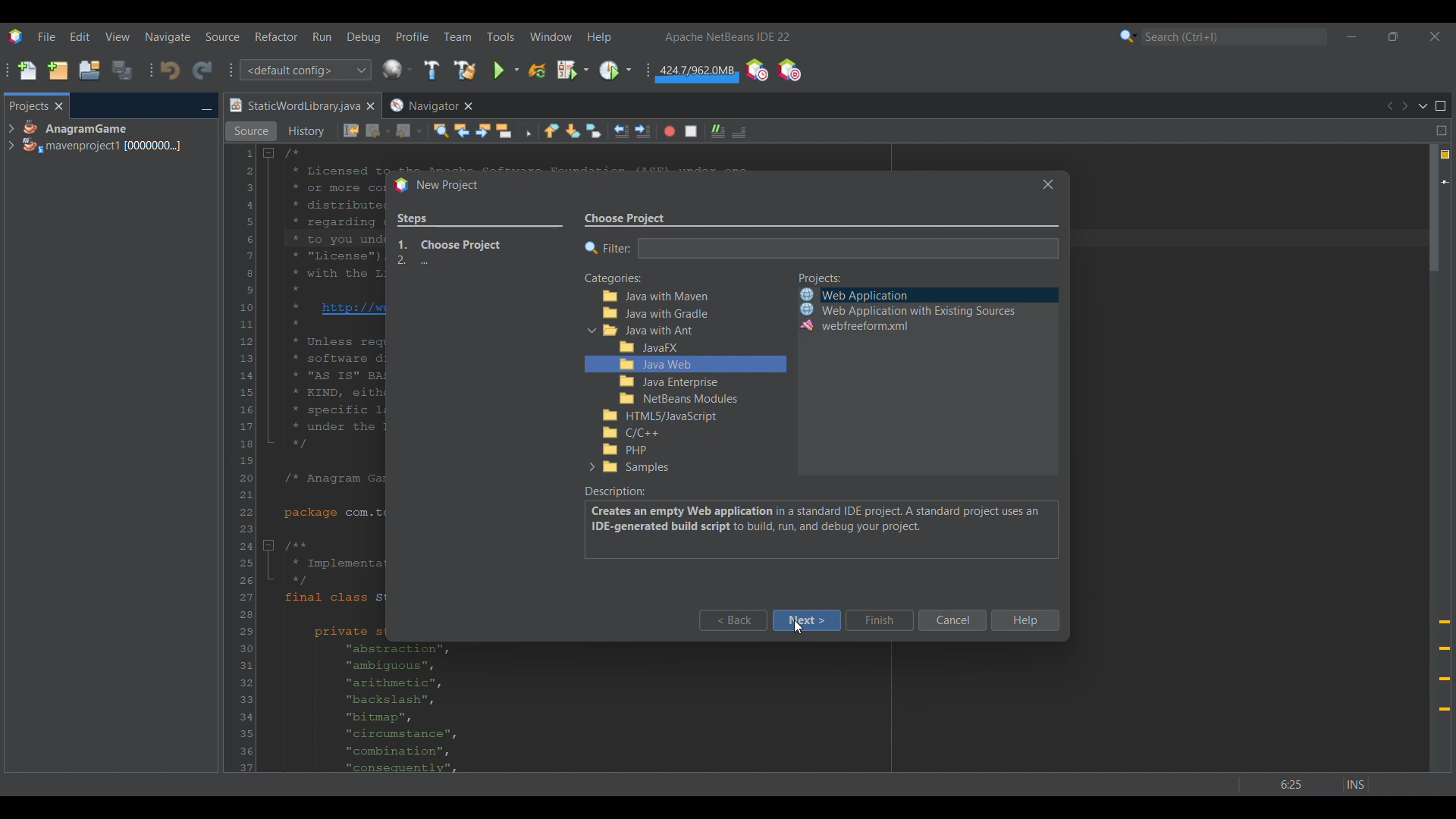 The image size is (1456, 819). I want to click on Find previous occurrences, so click(462, 130).